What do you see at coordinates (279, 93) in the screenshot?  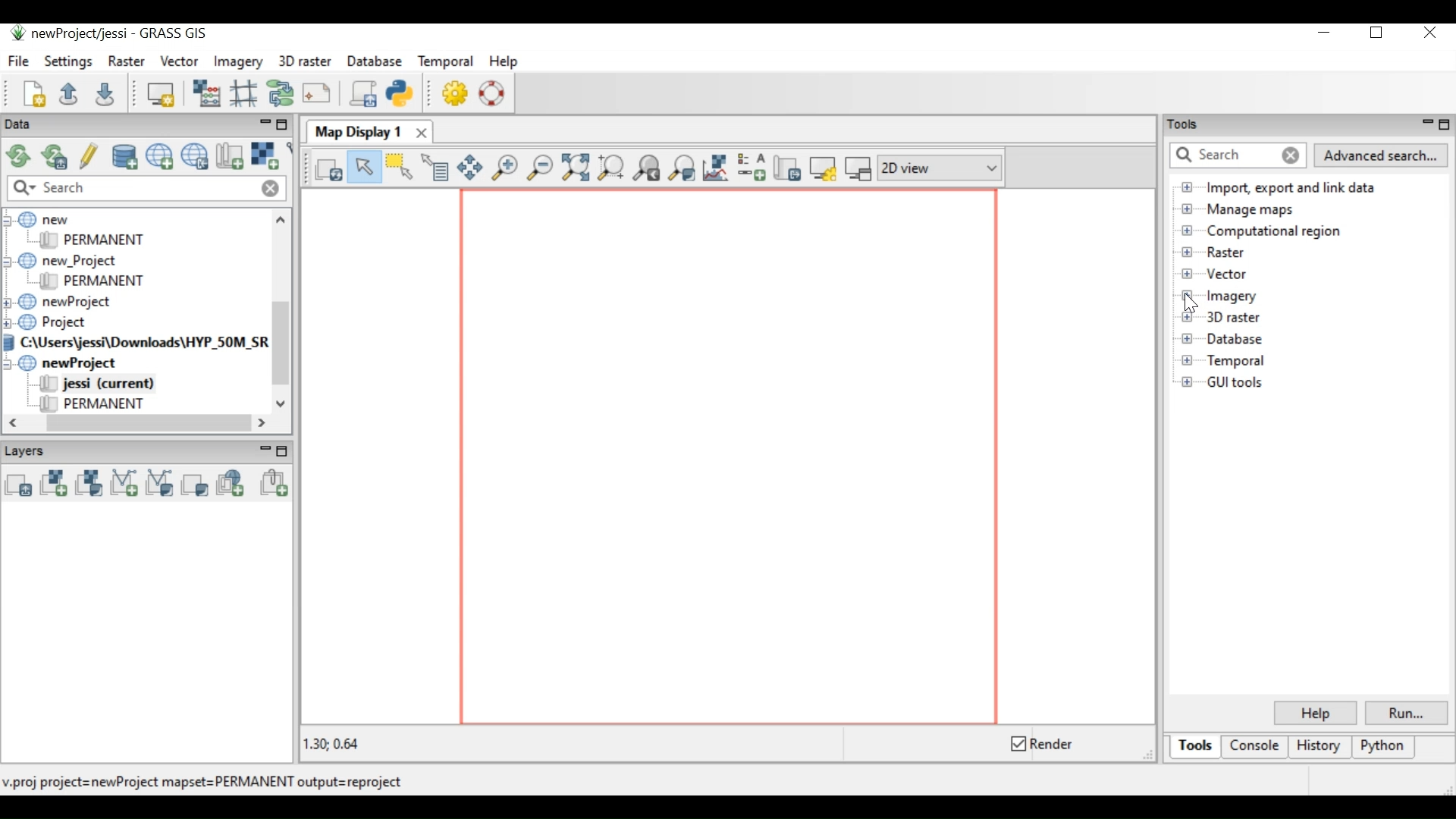 I see `Graphical Modeler` at bounding box center [279, 93].